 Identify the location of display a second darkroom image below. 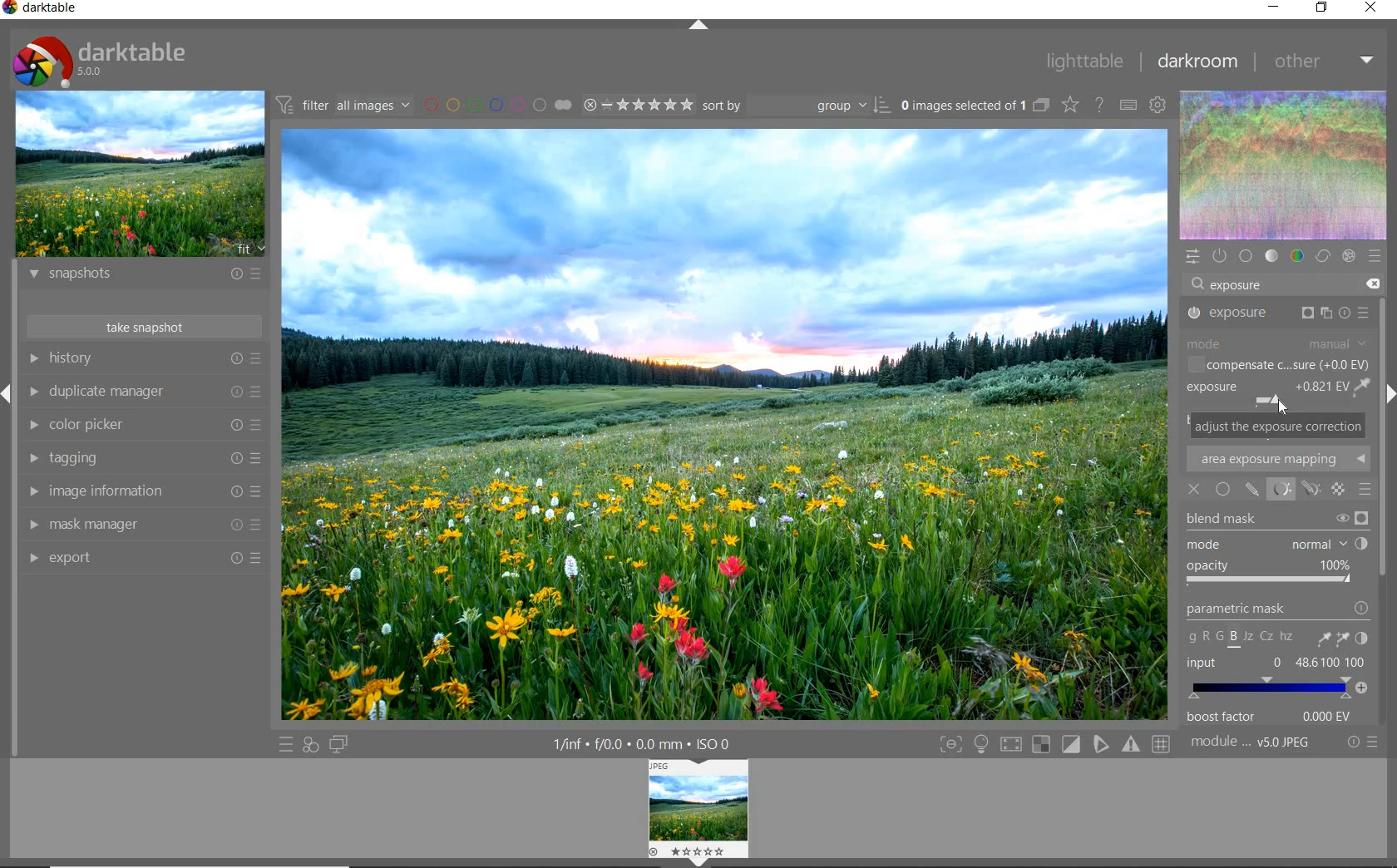
(342, 744).